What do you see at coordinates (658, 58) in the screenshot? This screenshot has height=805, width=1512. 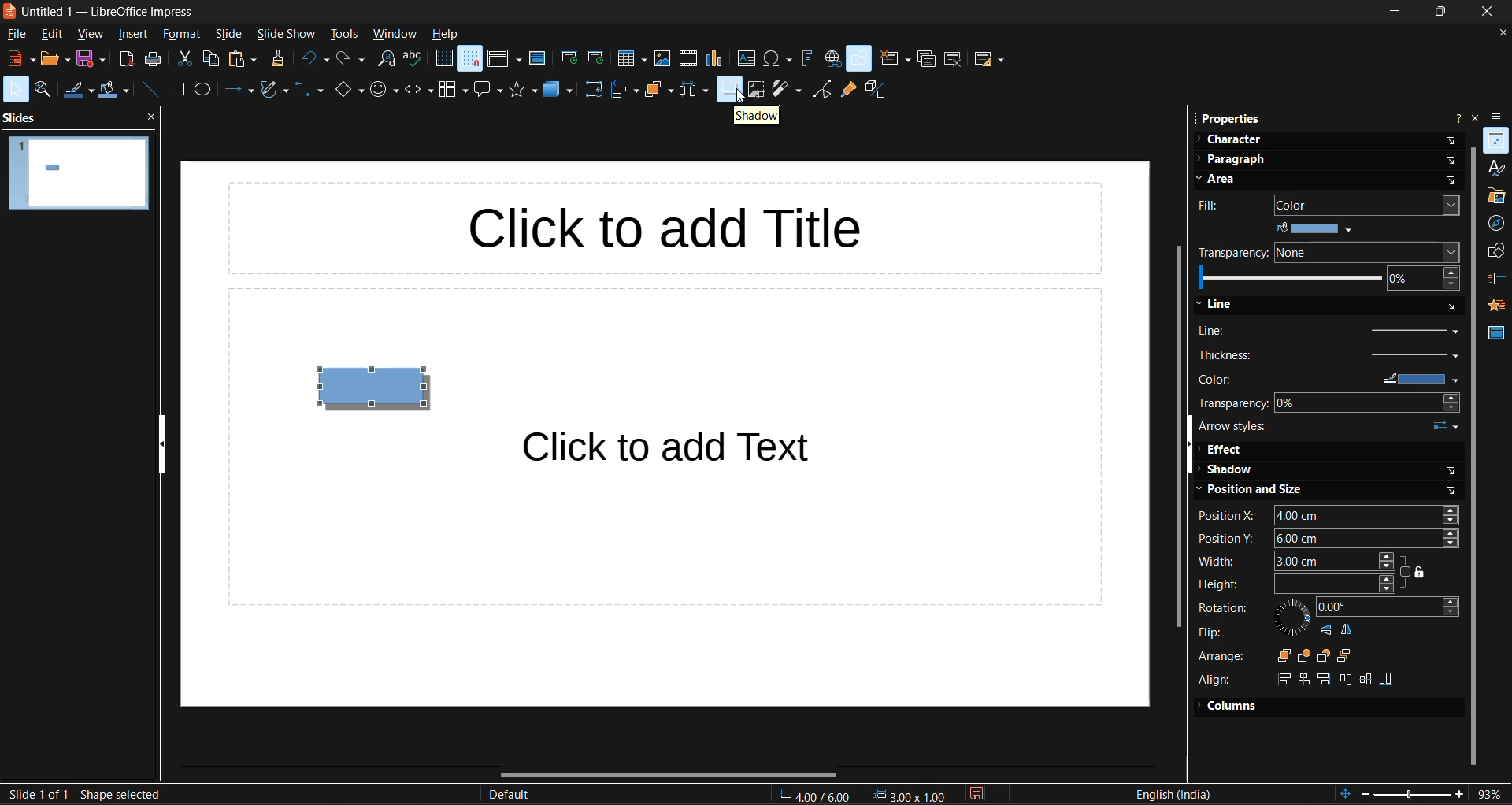 I see `insert image` at bounding box center [658, 58].